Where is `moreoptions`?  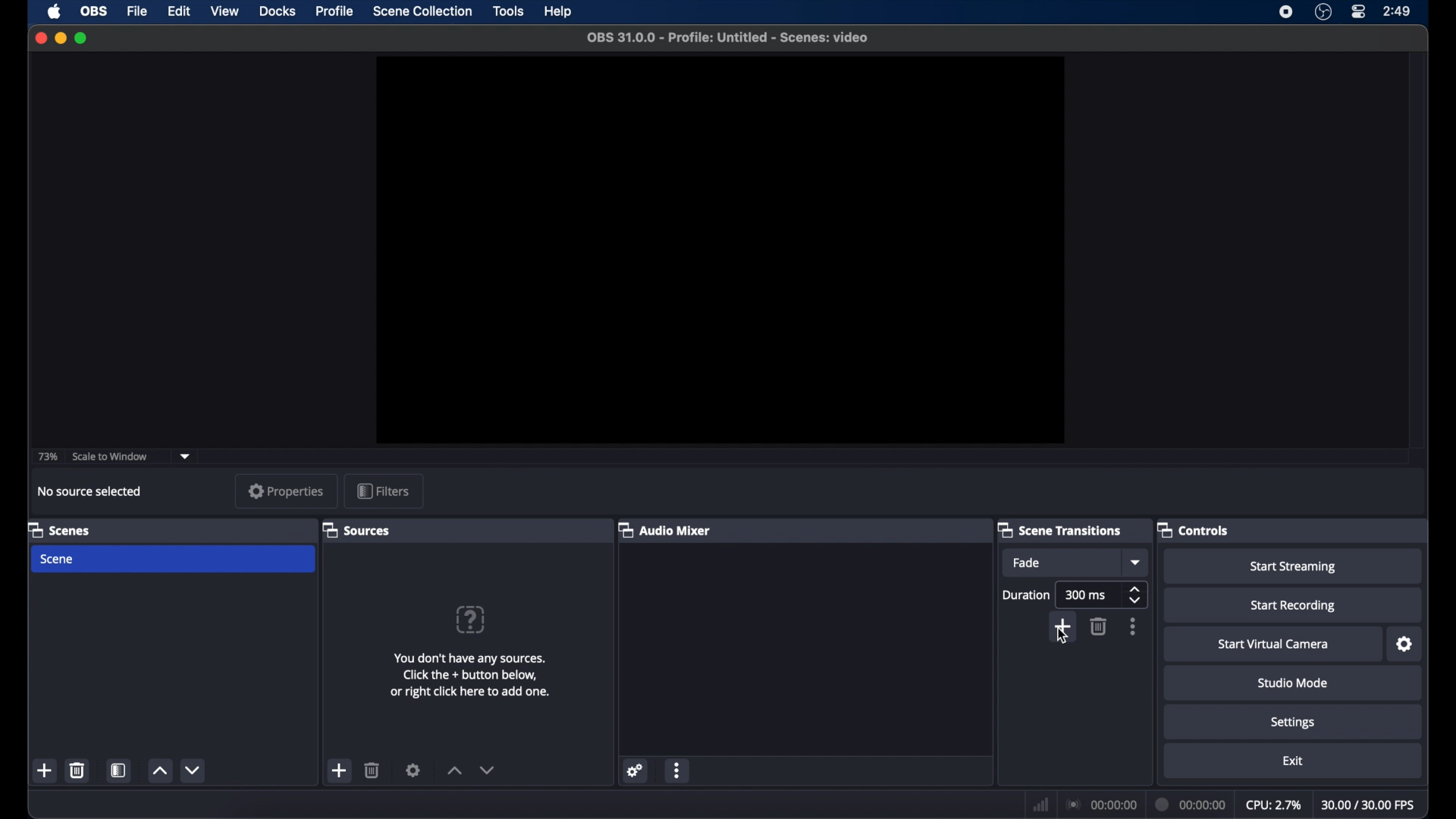 moreoptions is located at coordinates (1133, 626).